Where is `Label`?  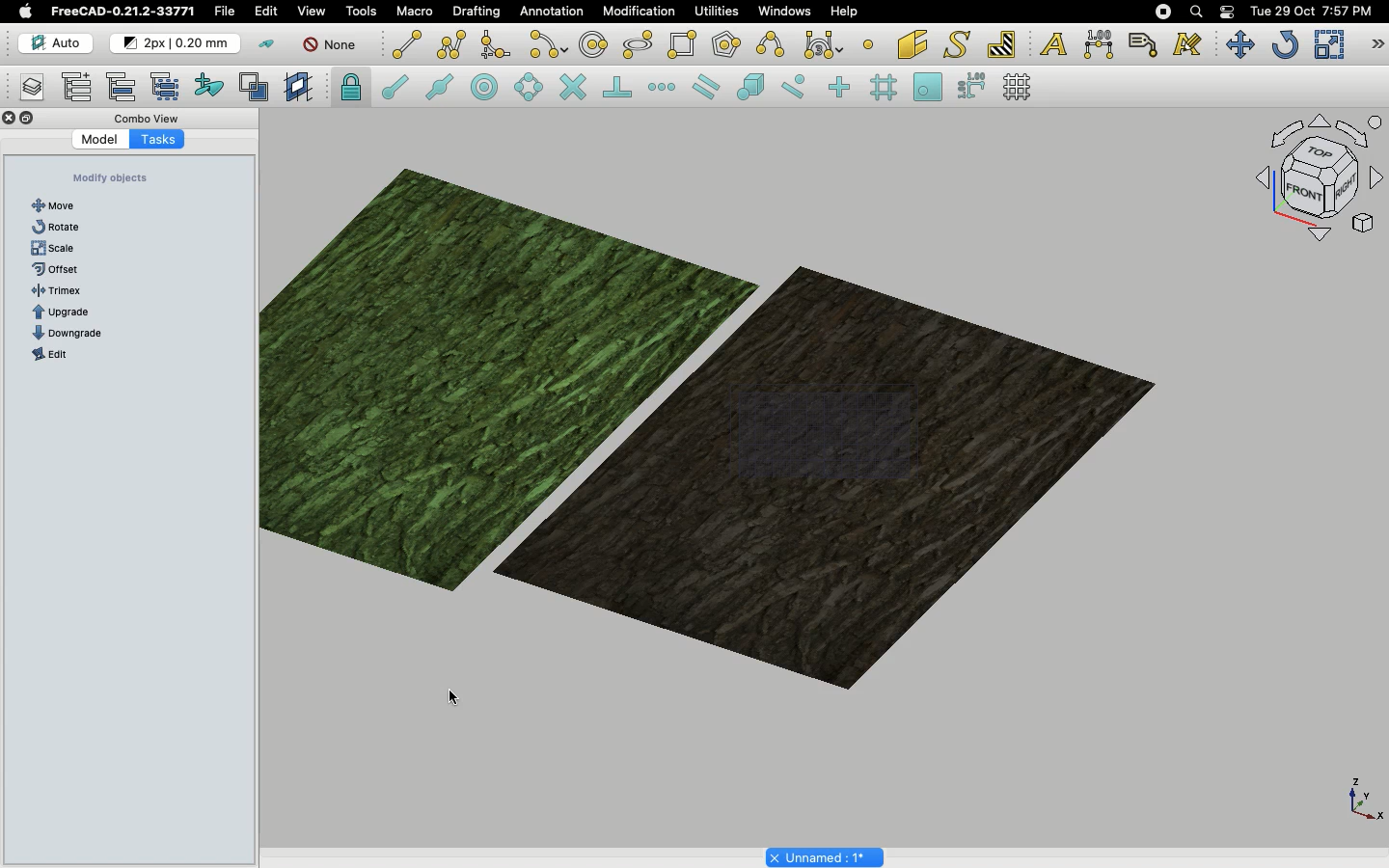 Label is located at coordinates (1146, 44).